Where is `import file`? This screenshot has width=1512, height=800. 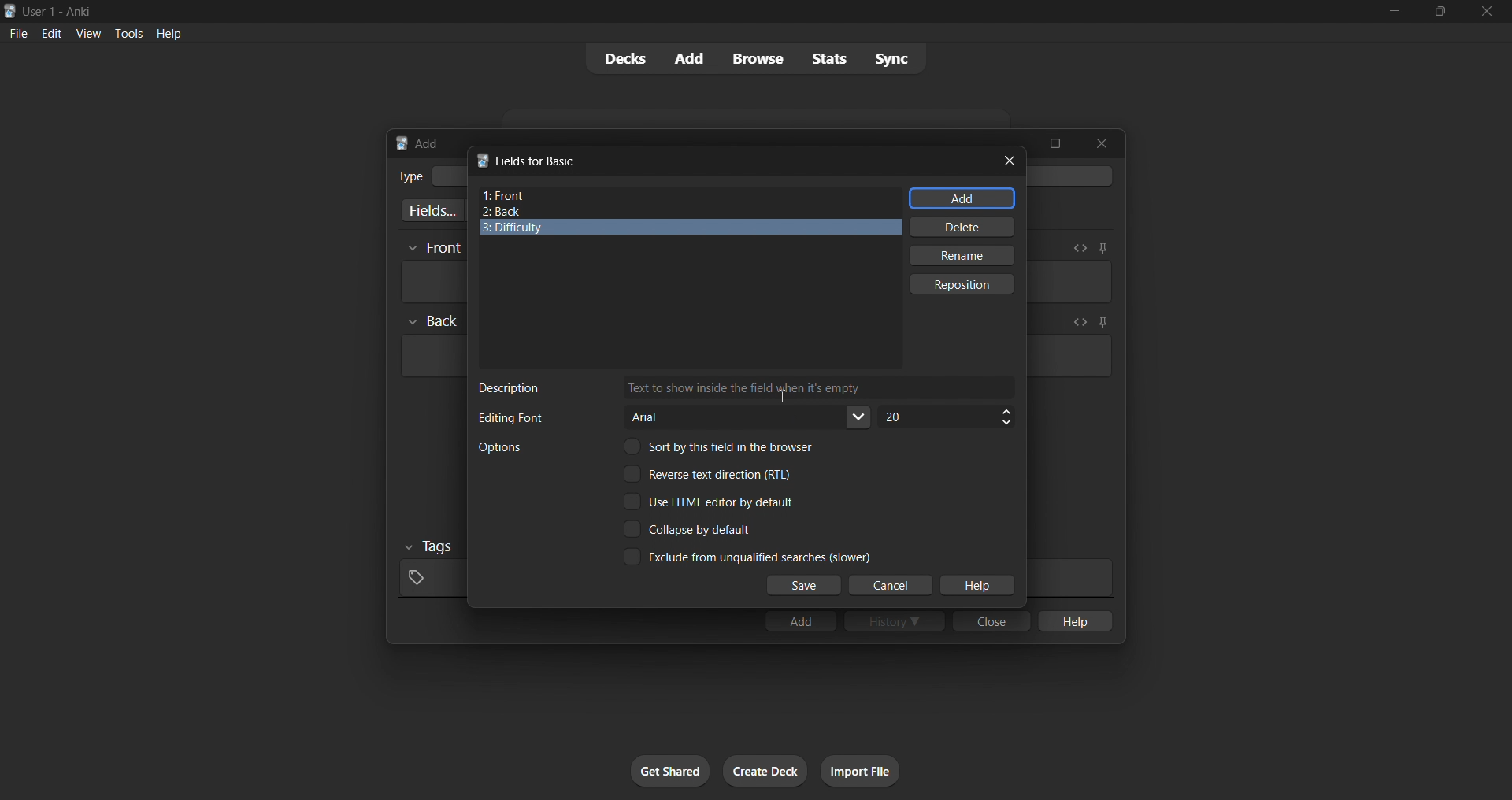 import file is located at coordinates (860, 771).